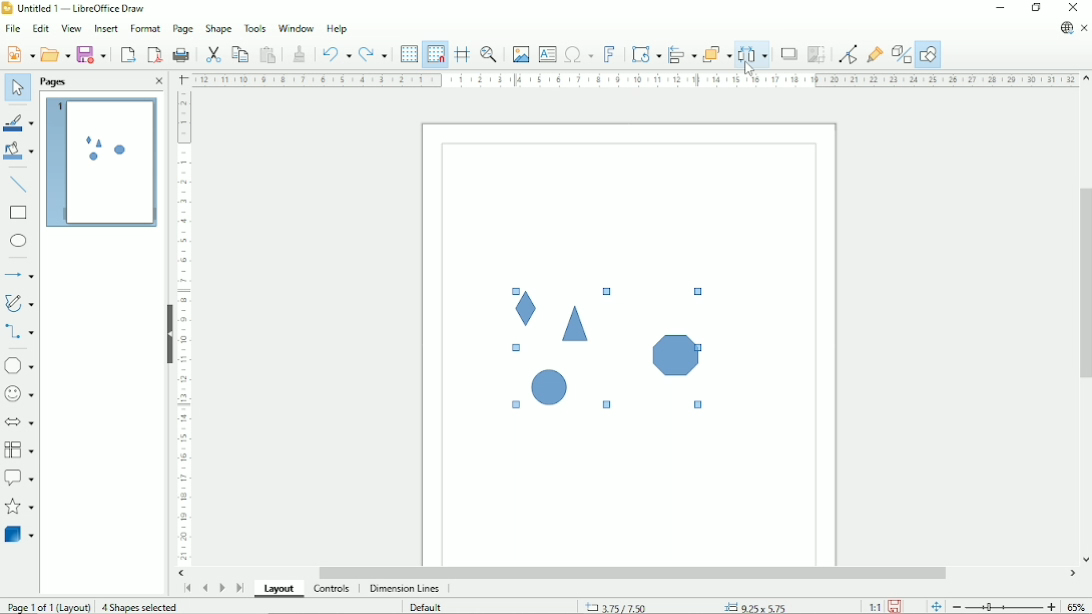 The height and width of the screenshot is (614, 1092). I want to click on Insert image, so click(520, 53).